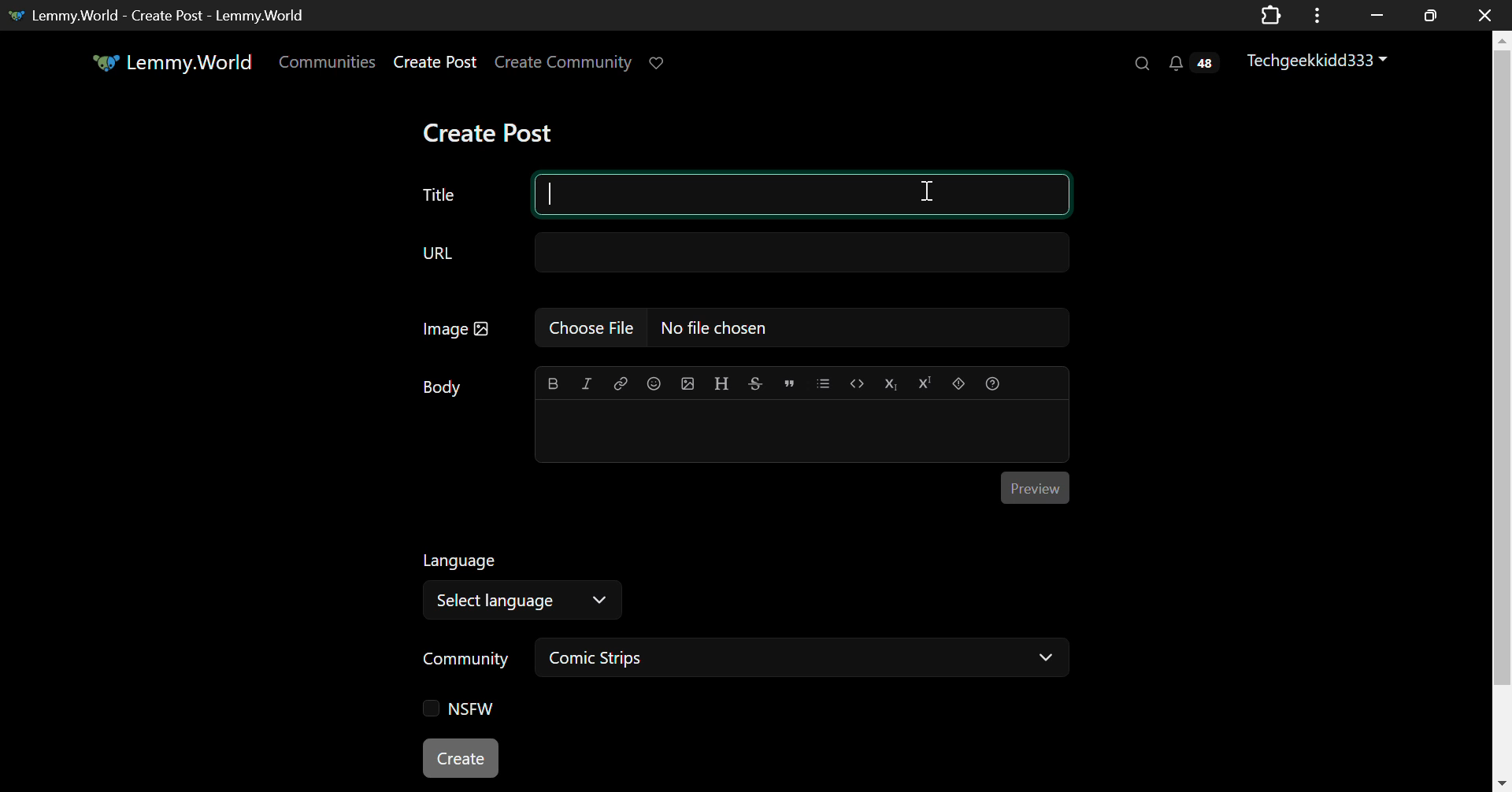 The height and width of the screenshot is (792, 1512). Describe the element at coordinates (162, 13) in the screenshot. I see `Lemmy.World- Create Post -Lemmy.World` at that location.